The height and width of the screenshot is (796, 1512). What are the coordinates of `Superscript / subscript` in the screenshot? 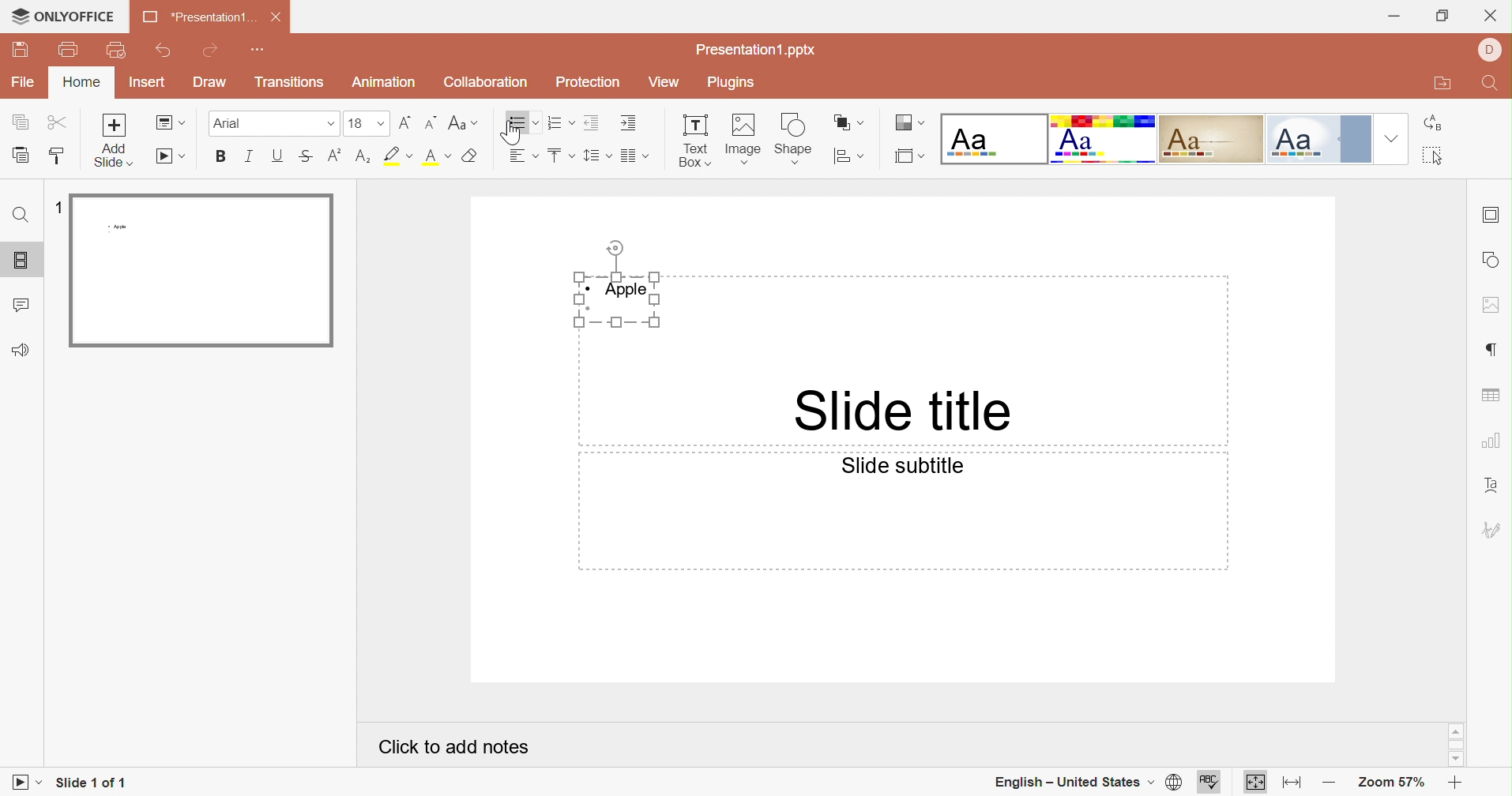 It's located at (439, 157).